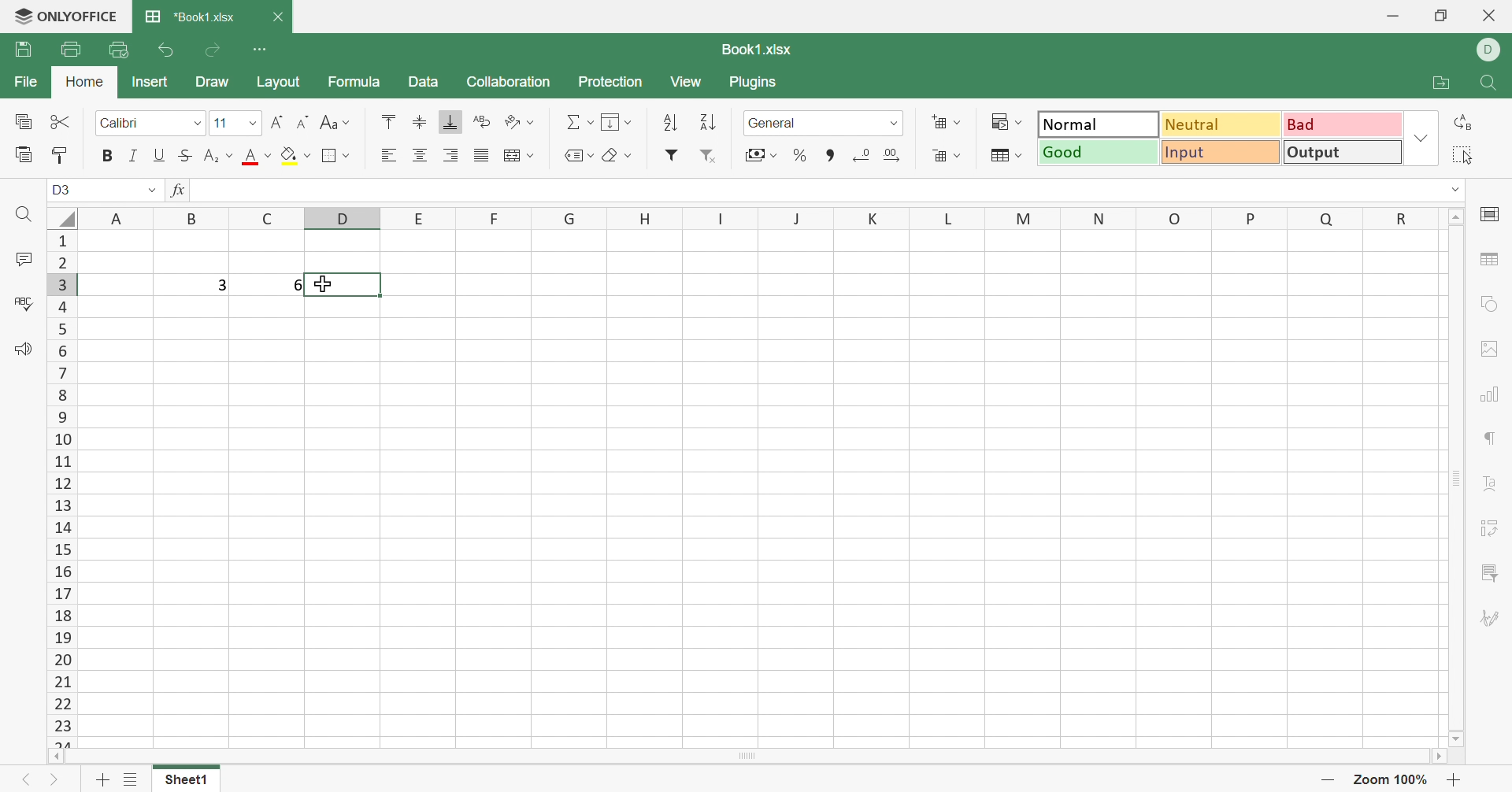  I want to click on Font color, so click(256, 156).